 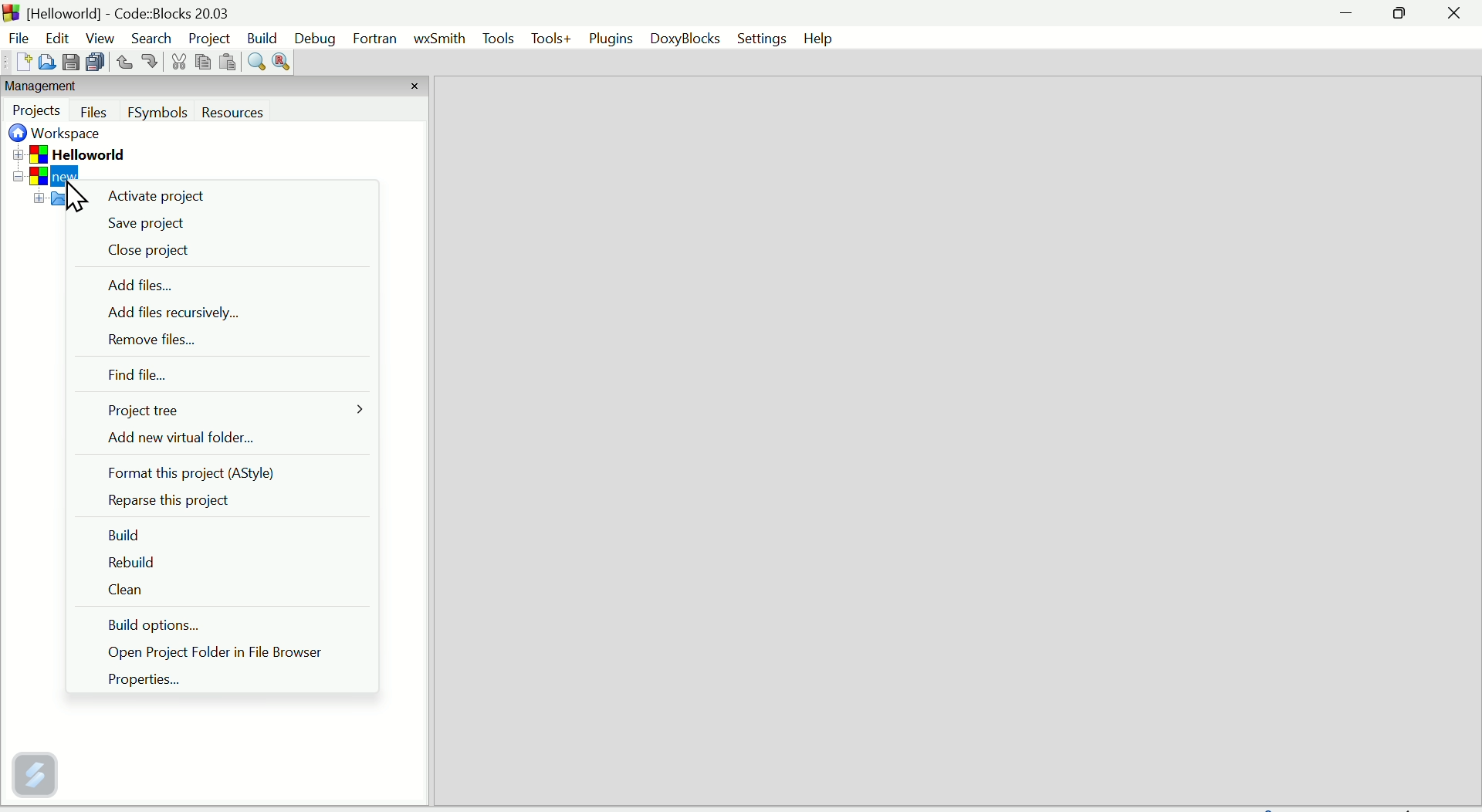 What do you see at coordinates (1347, 15) in the screenshot?
I see `minimise` at bounding box center [1347, 15].